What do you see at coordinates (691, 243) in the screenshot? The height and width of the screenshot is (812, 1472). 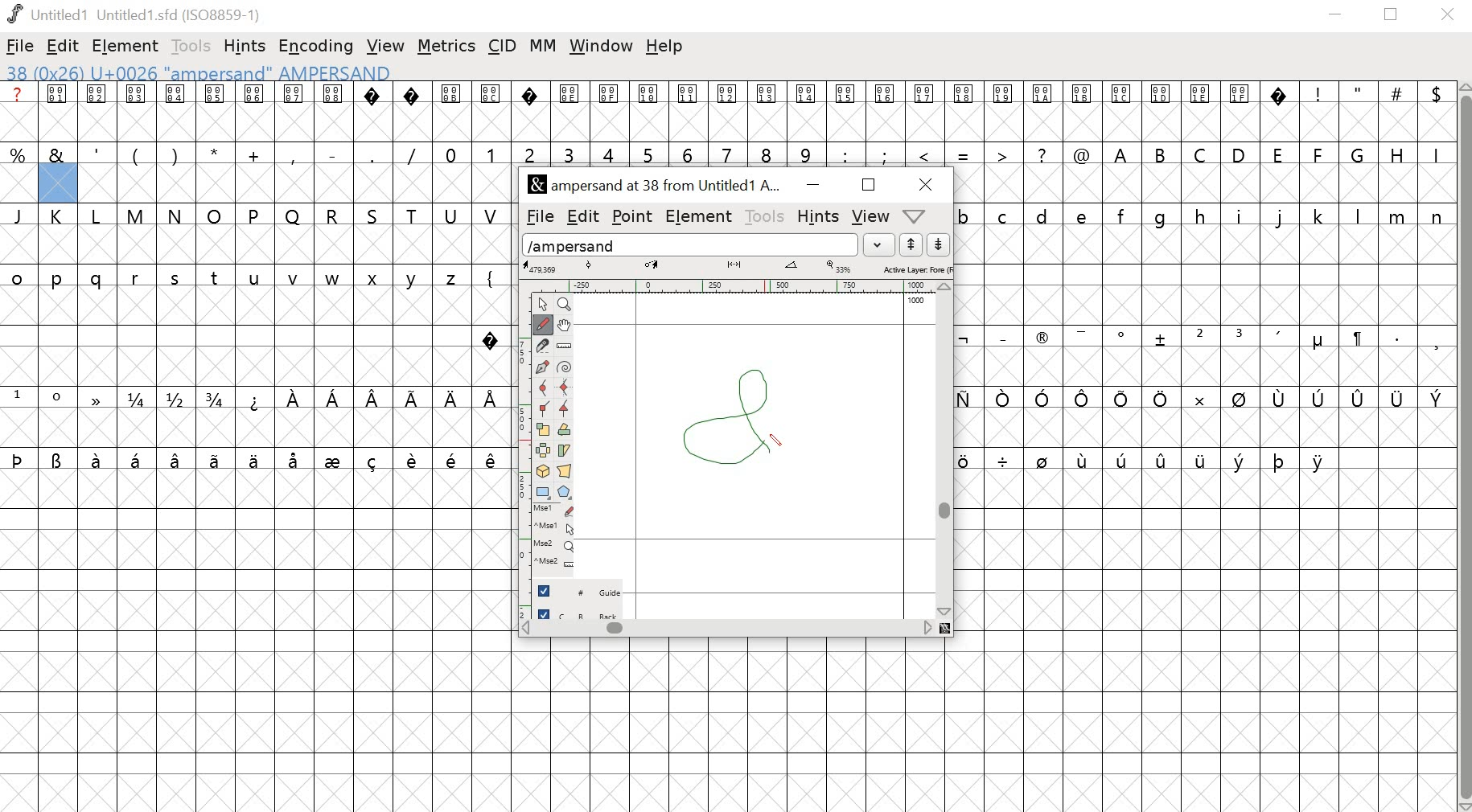 I see `/ampersand` at bounding box center [691, 243].